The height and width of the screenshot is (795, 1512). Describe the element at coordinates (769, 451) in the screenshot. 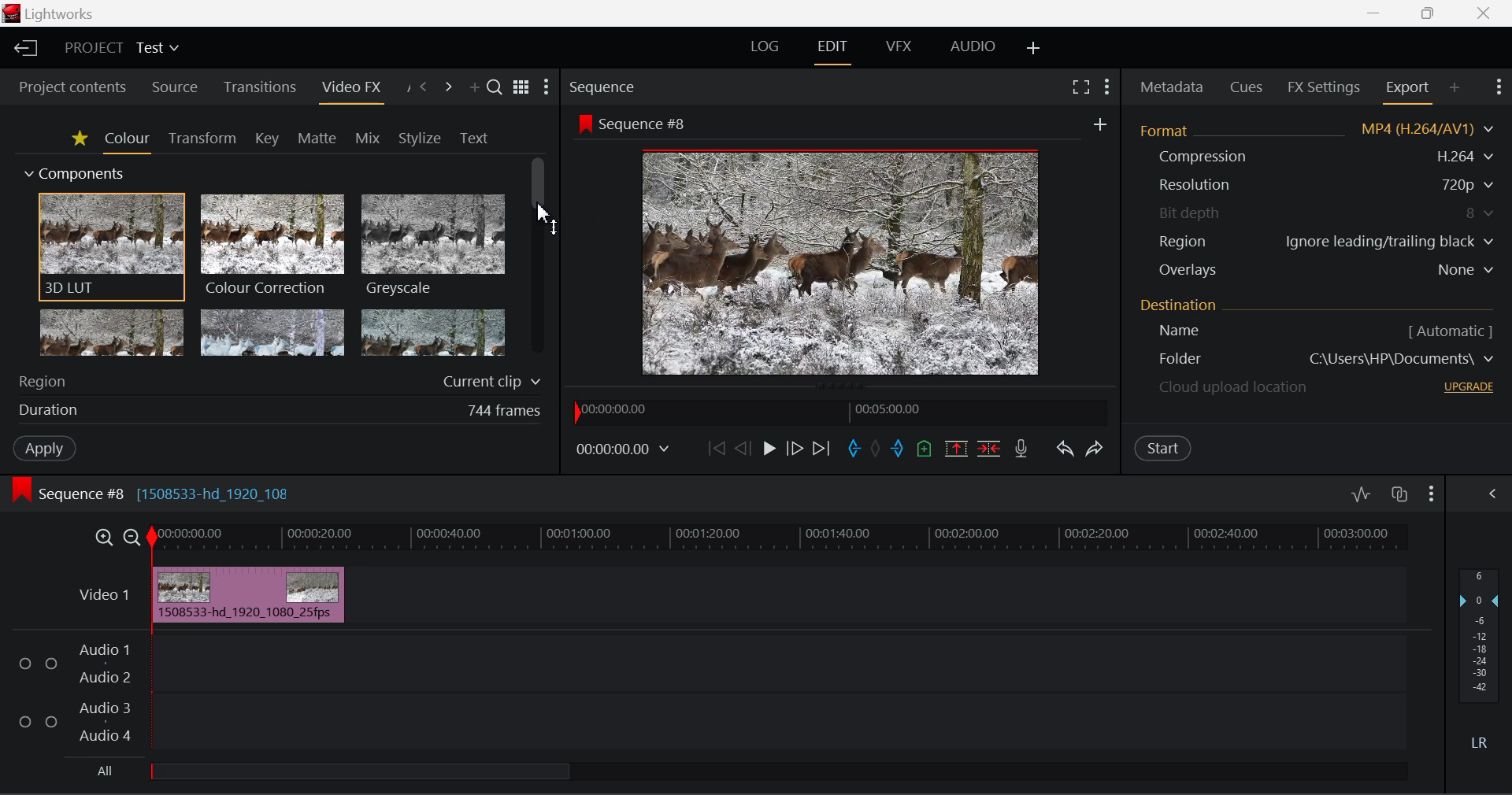

I see `Play` at that location.